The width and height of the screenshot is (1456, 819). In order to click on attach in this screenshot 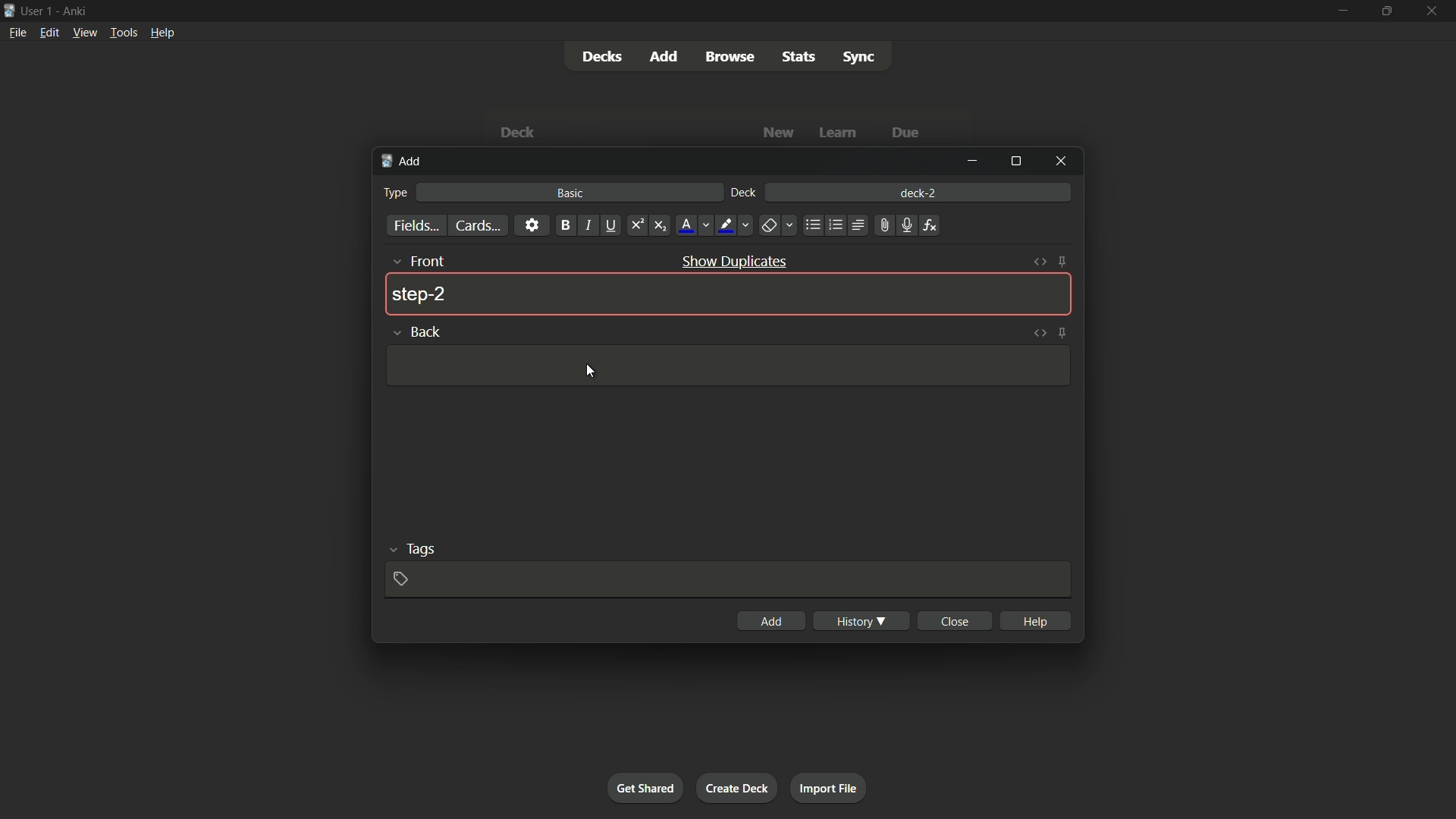, I will do `click(885, 224)`.